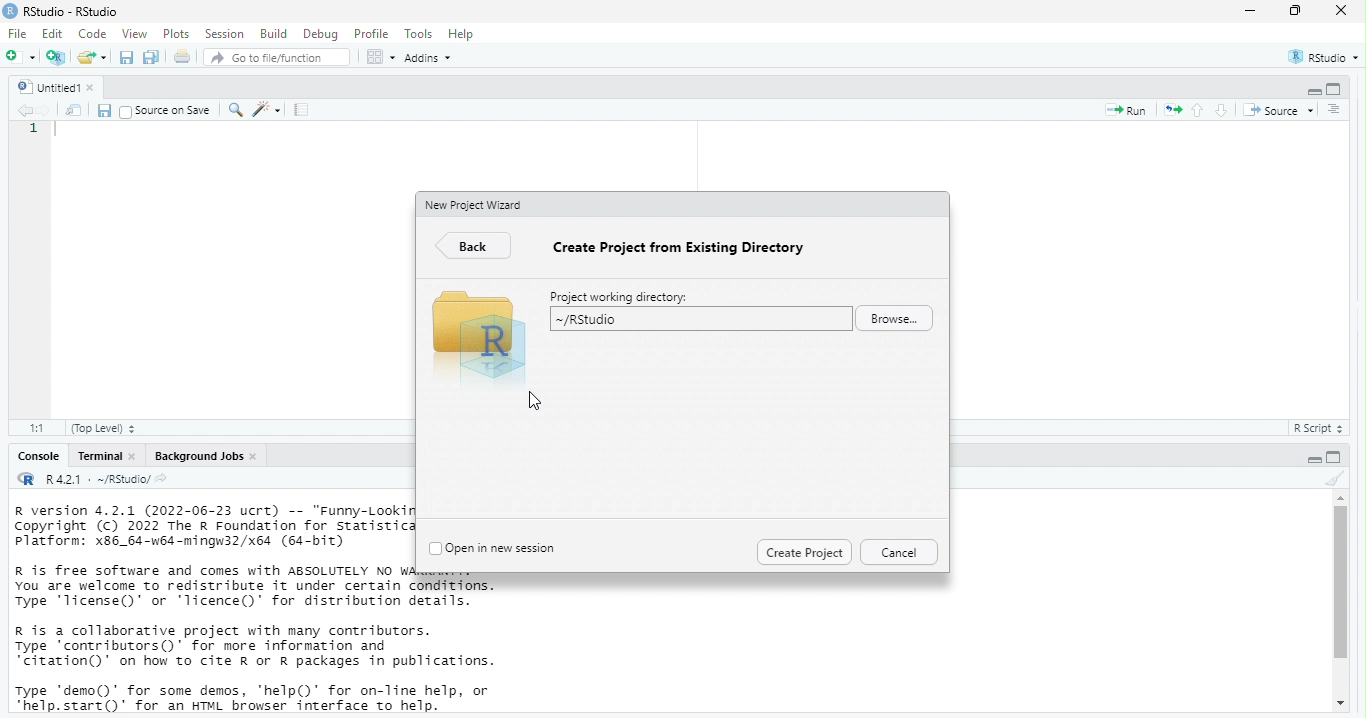  Describe the element at coordinates (125, 58) in the screenshot. I see `save current document` at that location.